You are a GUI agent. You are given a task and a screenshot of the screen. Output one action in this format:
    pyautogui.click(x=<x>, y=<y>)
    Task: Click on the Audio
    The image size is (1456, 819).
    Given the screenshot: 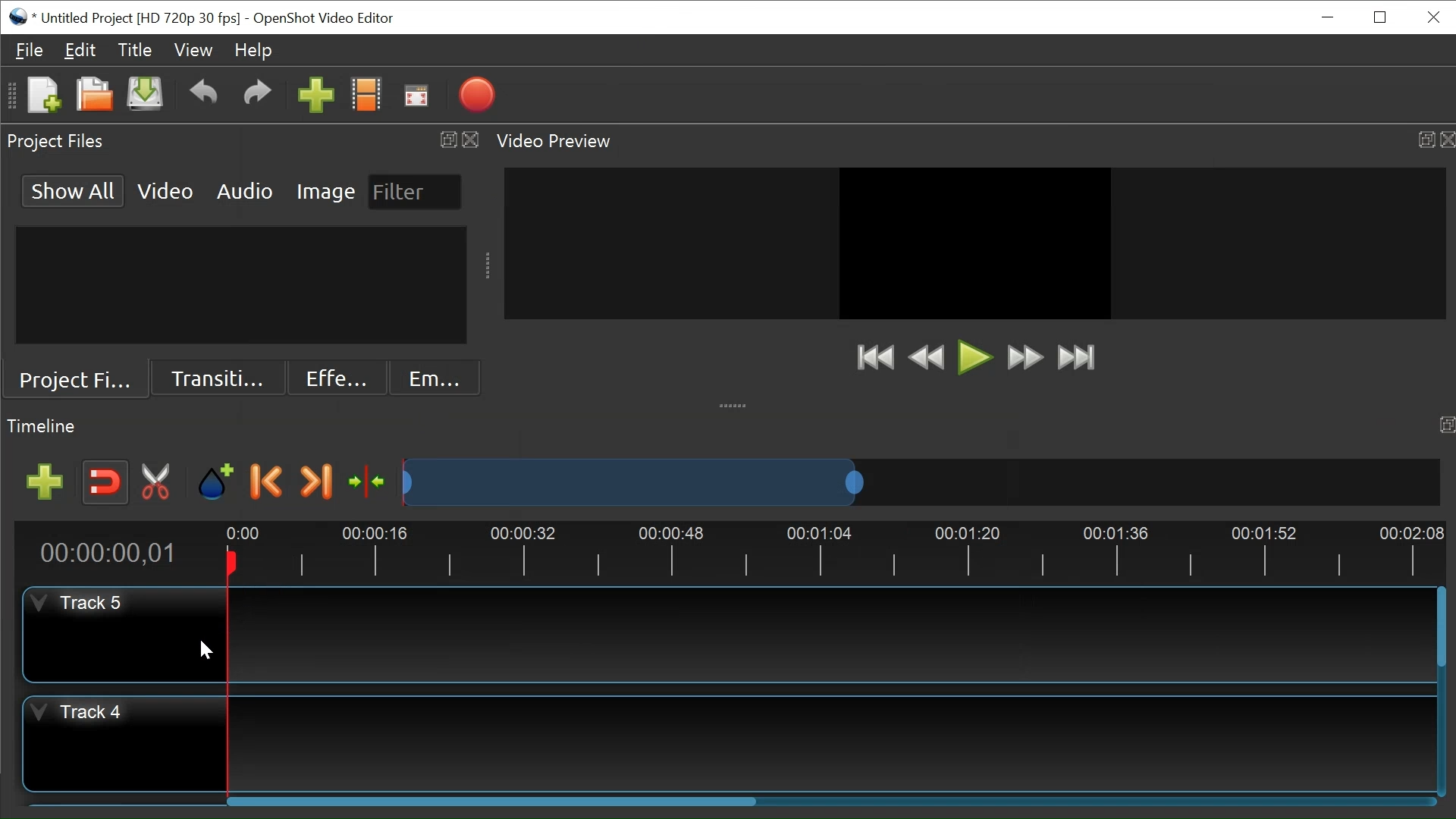 What is the action you would take?
    pyautogui.click(x=243, y=190)
    